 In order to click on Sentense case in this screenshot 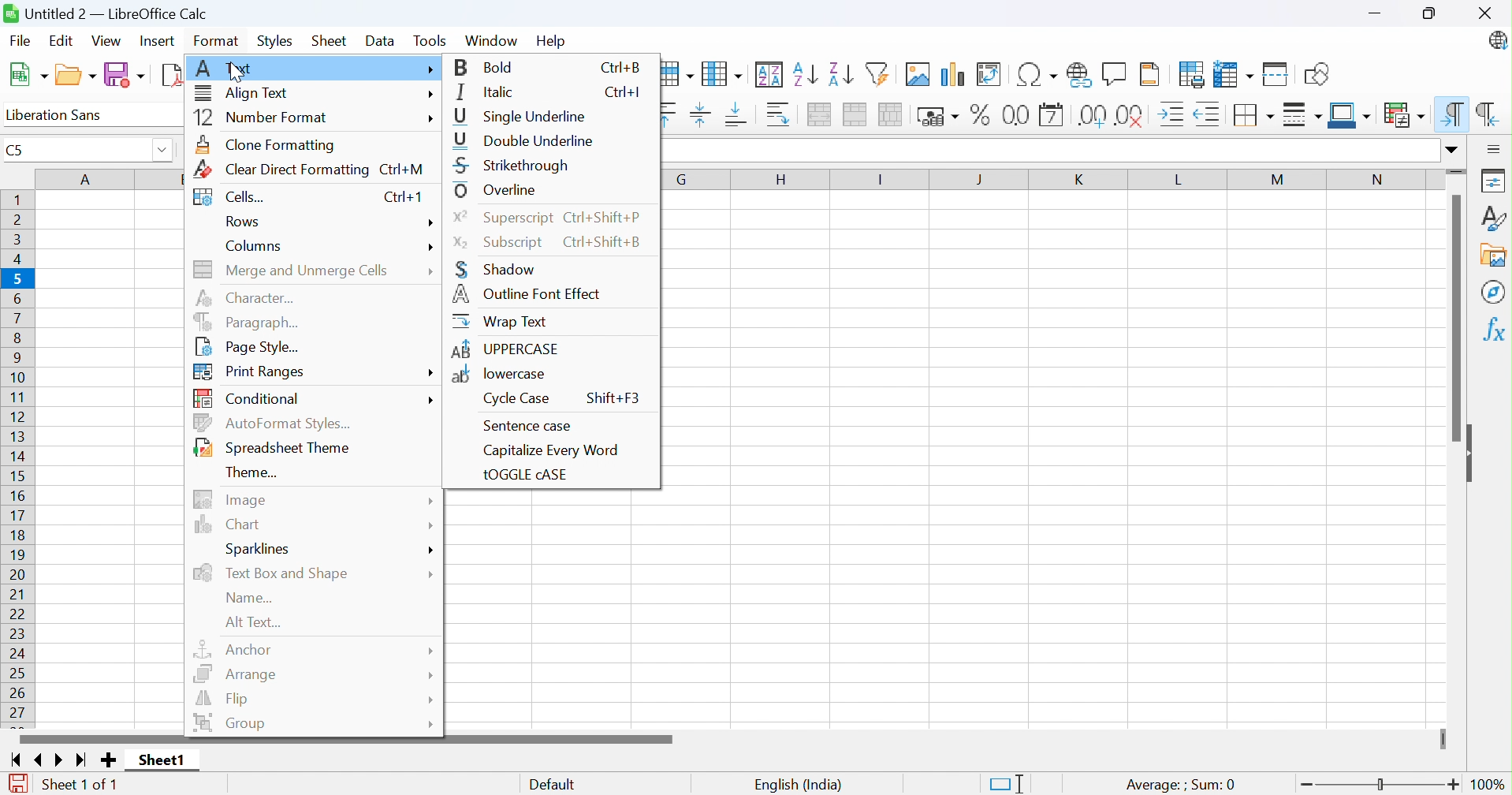, I will do `click(526, 424)`.